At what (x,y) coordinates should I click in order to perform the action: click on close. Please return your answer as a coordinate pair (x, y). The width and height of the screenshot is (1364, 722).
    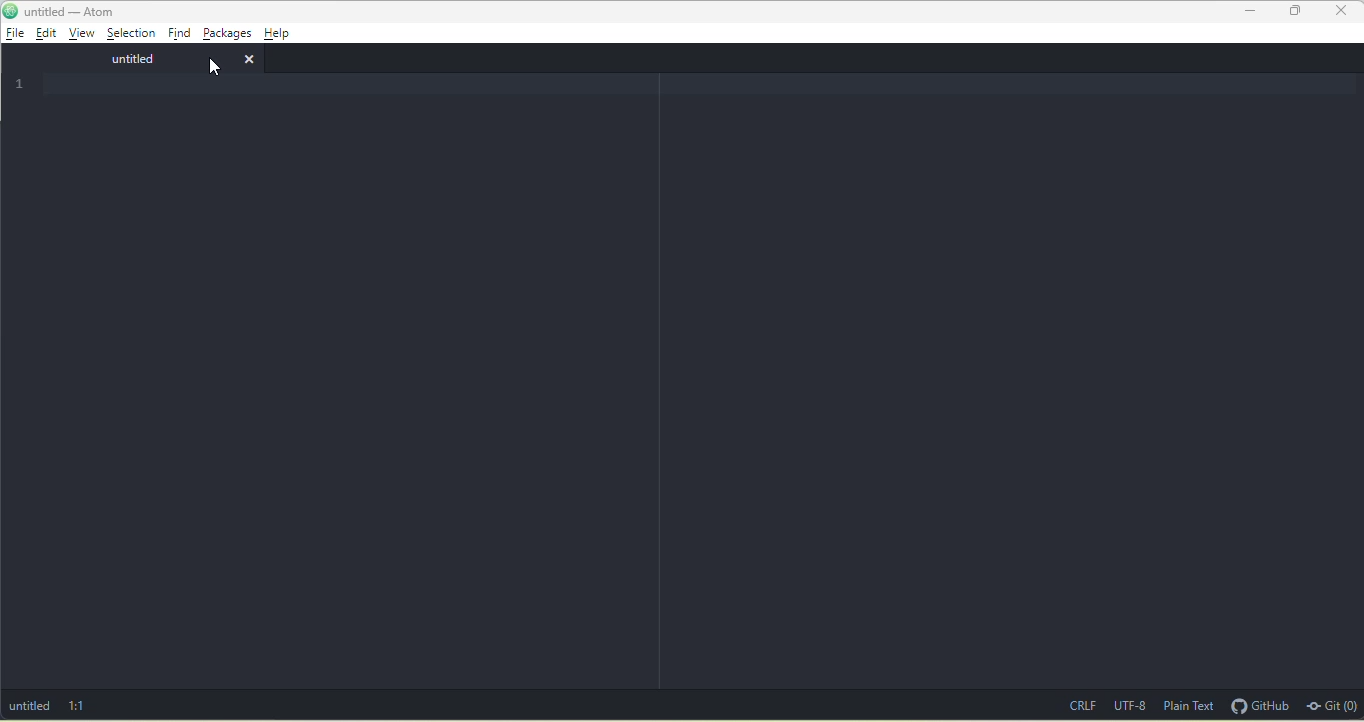
    Looking at the image, I should click on (1343, 12).